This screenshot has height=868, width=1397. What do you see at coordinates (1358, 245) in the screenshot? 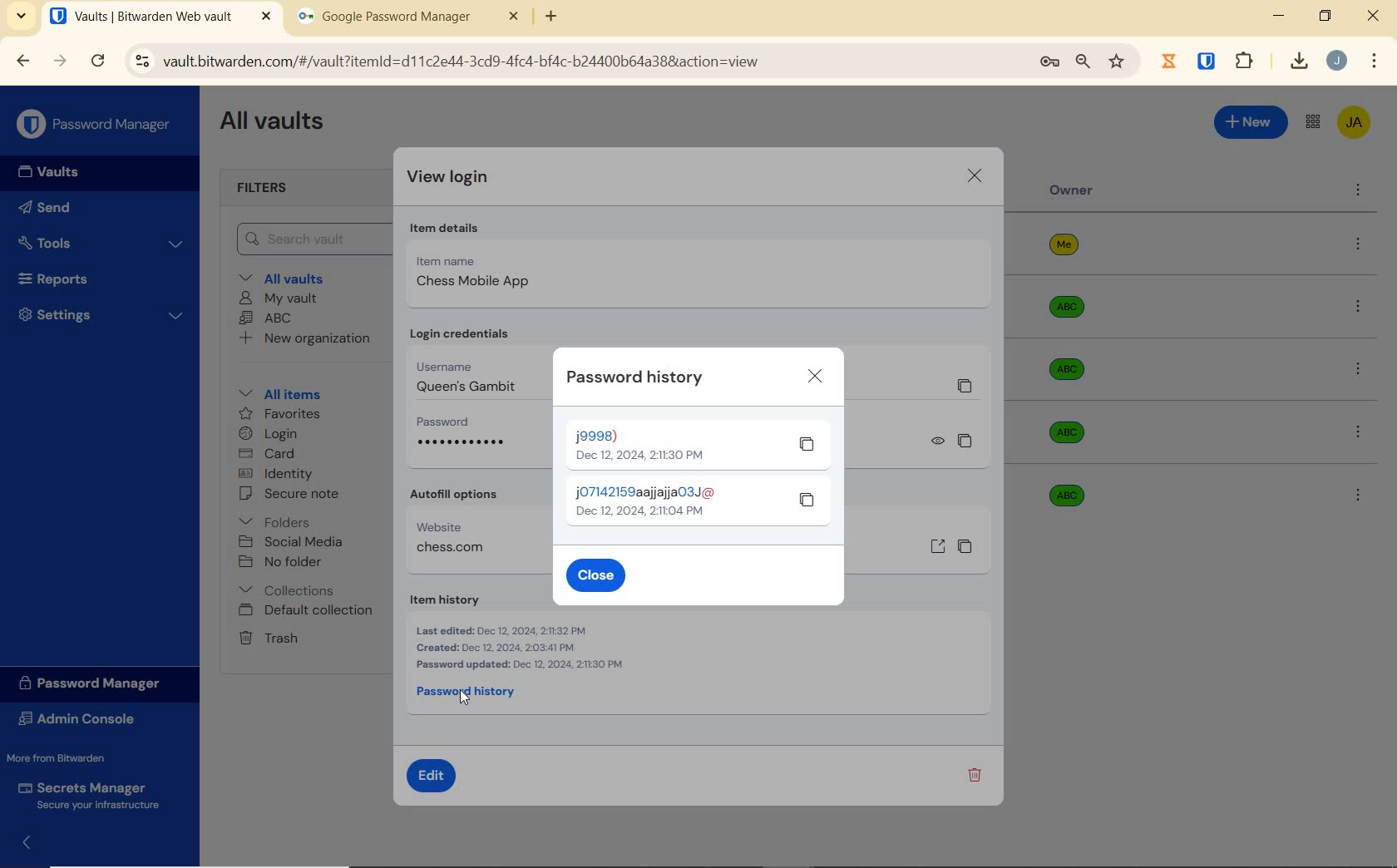
I see `more options` at bounding box center [1358, 245].